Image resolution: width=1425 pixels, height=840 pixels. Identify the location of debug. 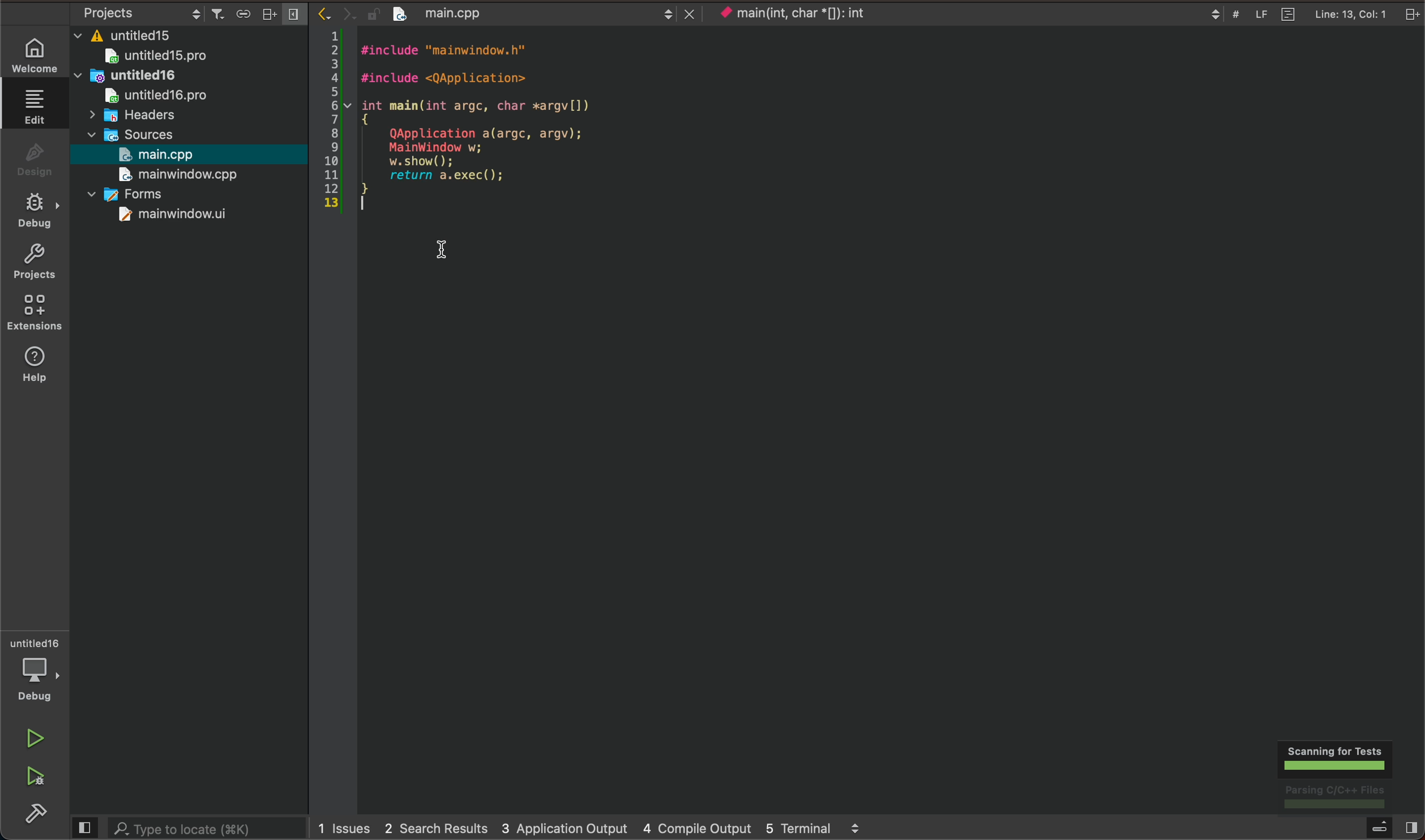
(40, 212).